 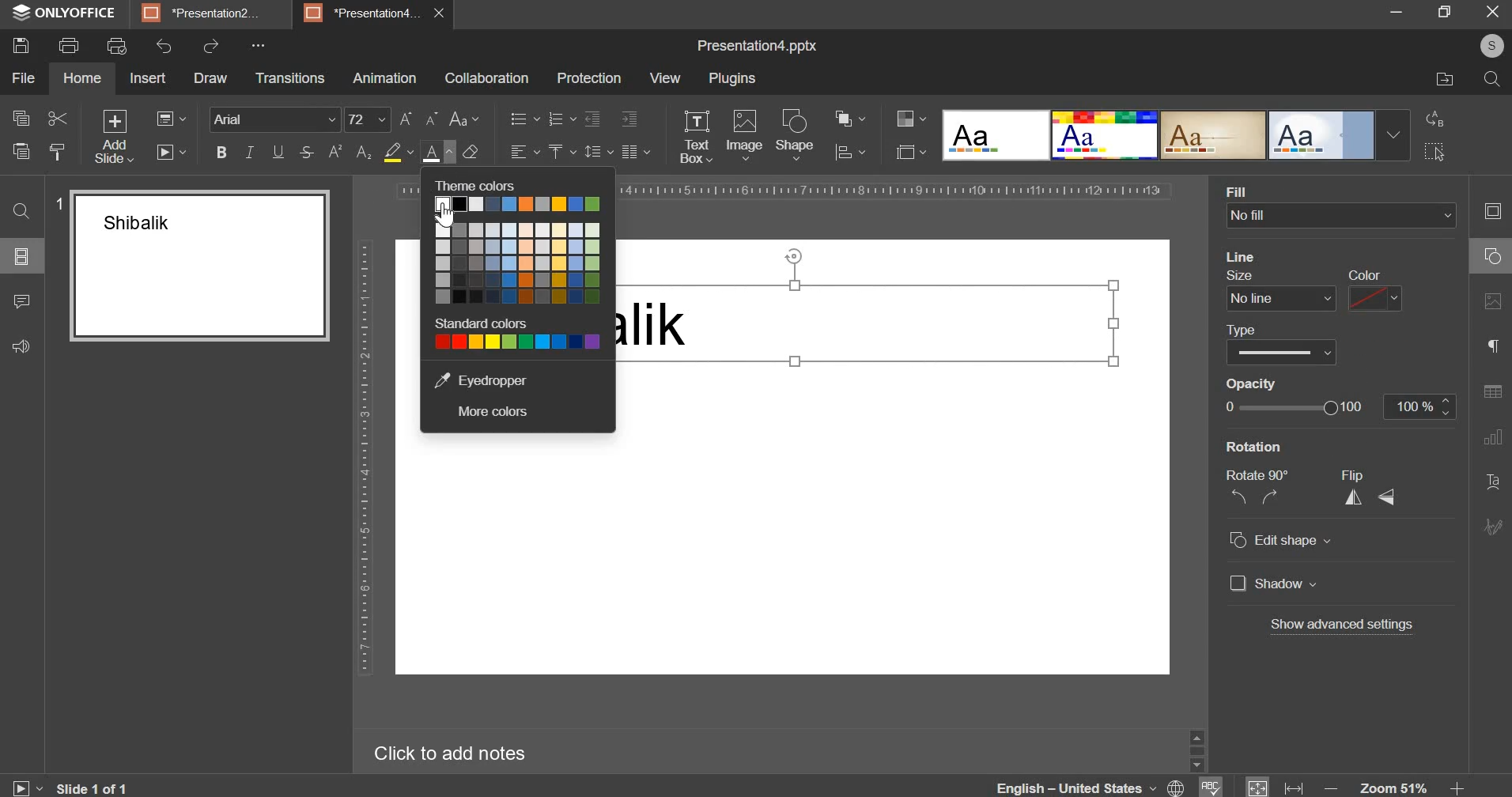 What do you see at coordinates (1375, 292) in the screenshot?
I see `color` at bounding box center [1375, 292].